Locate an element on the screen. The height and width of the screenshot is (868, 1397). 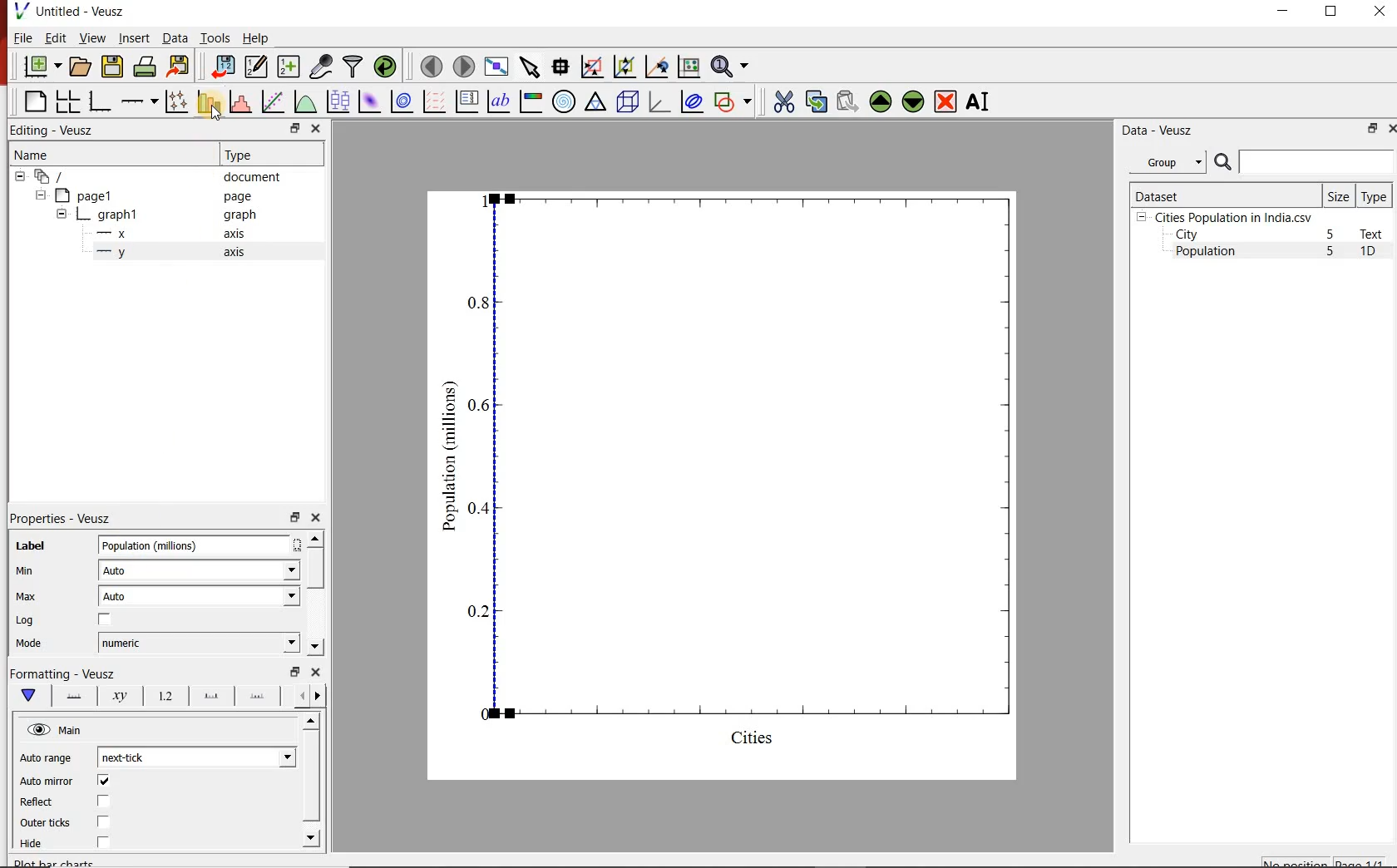
plot a function is located at coordinates (304, 101).